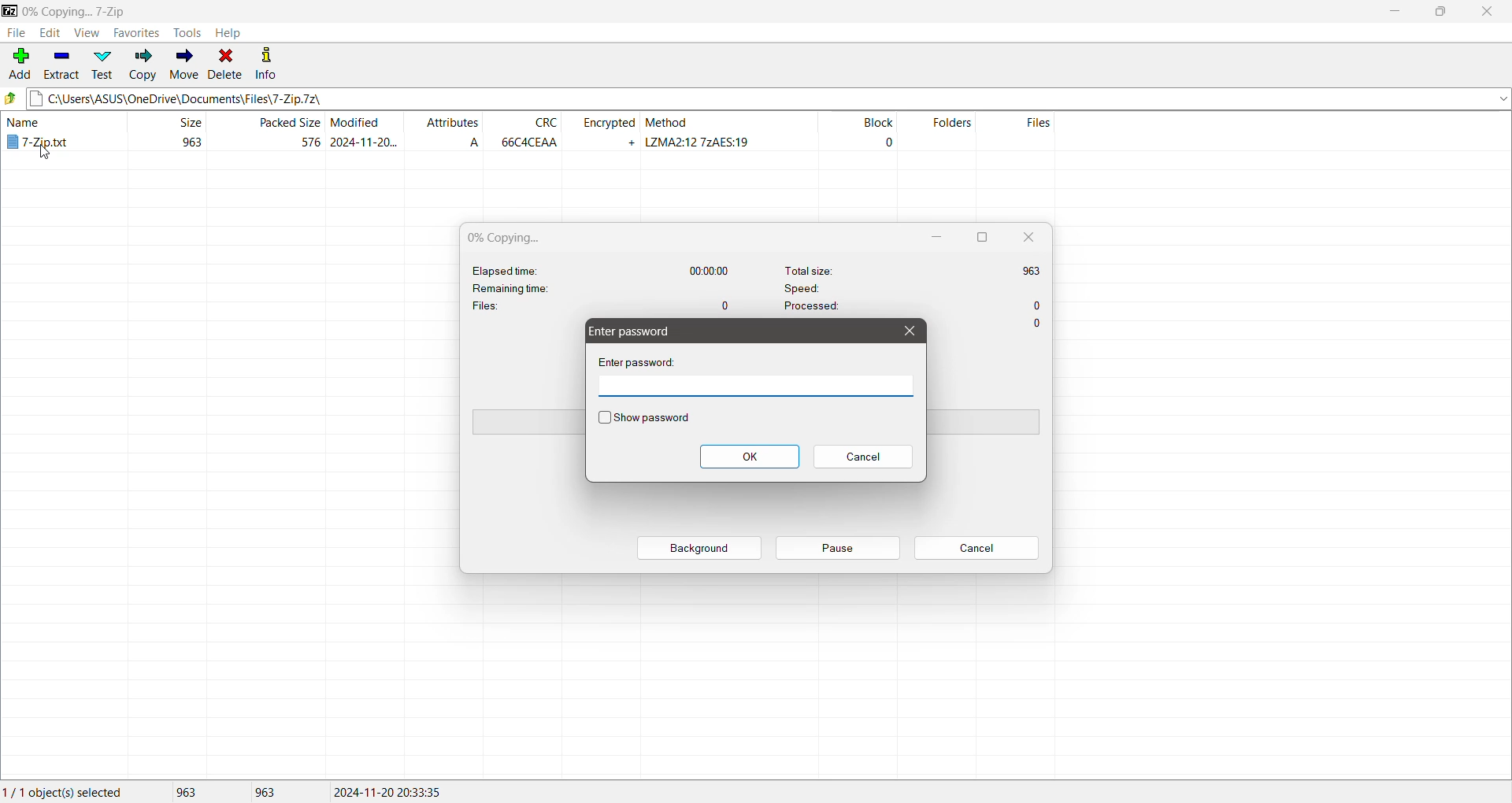 Image resolution: width=1512 pixels, height=803 pixels. Describe the element at coordinates (837, 548) in the screenshot. I see `Pause` at that location.